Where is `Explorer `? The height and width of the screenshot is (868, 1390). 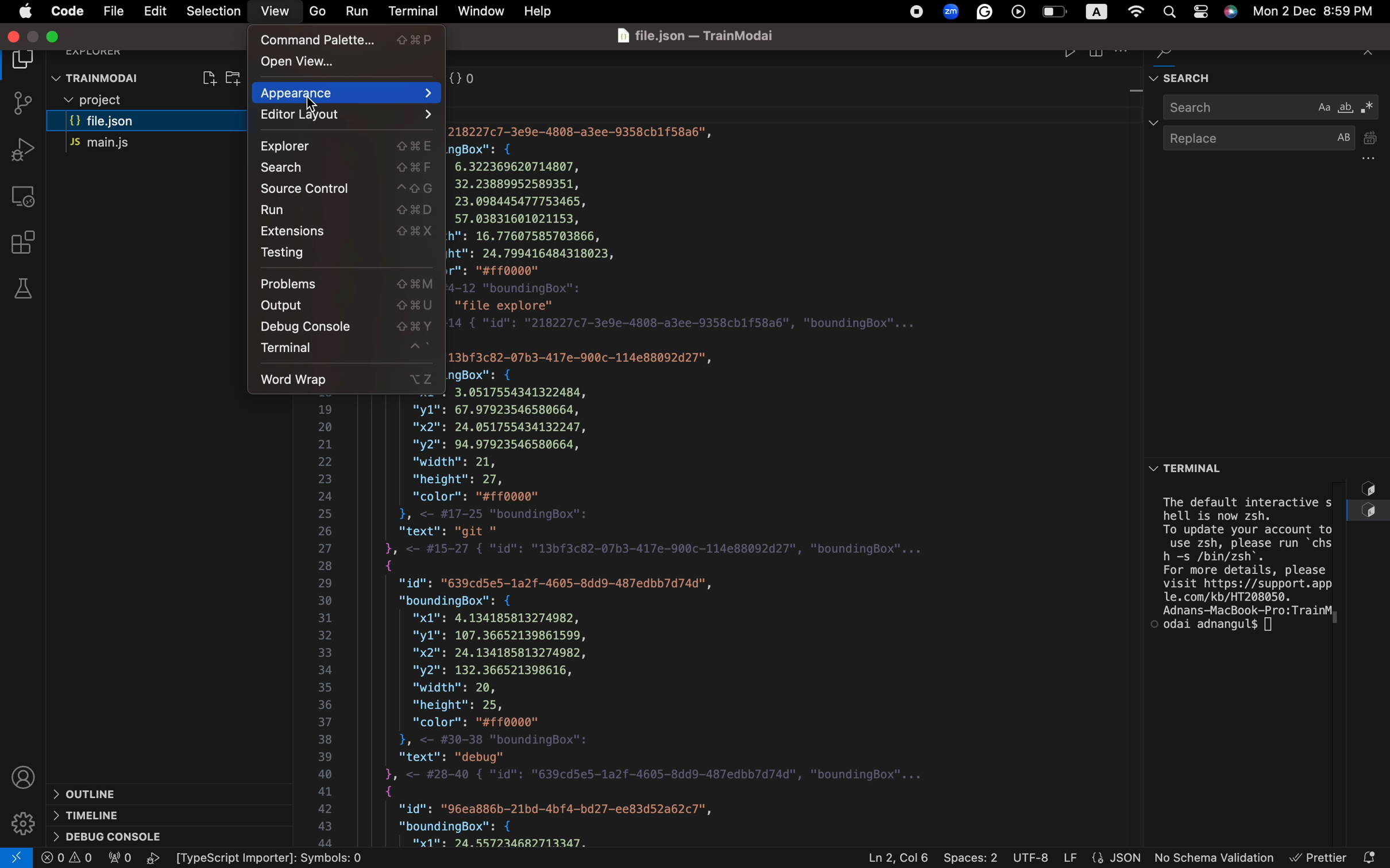 Explorer  is located at coordinates (349, 147).